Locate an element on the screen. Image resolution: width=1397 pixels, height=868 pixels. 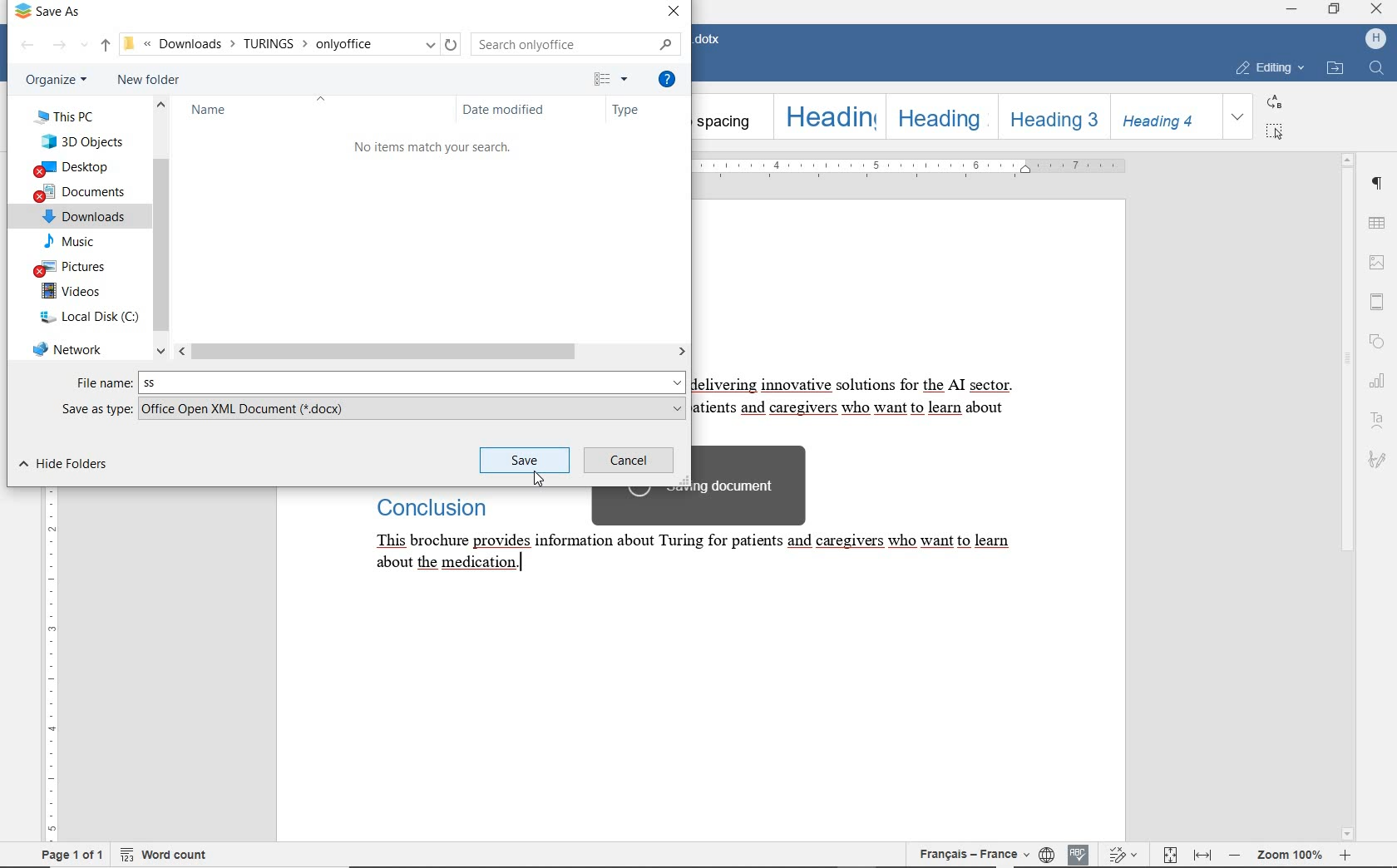
NO SPACING is located at coordinates (731, 116).